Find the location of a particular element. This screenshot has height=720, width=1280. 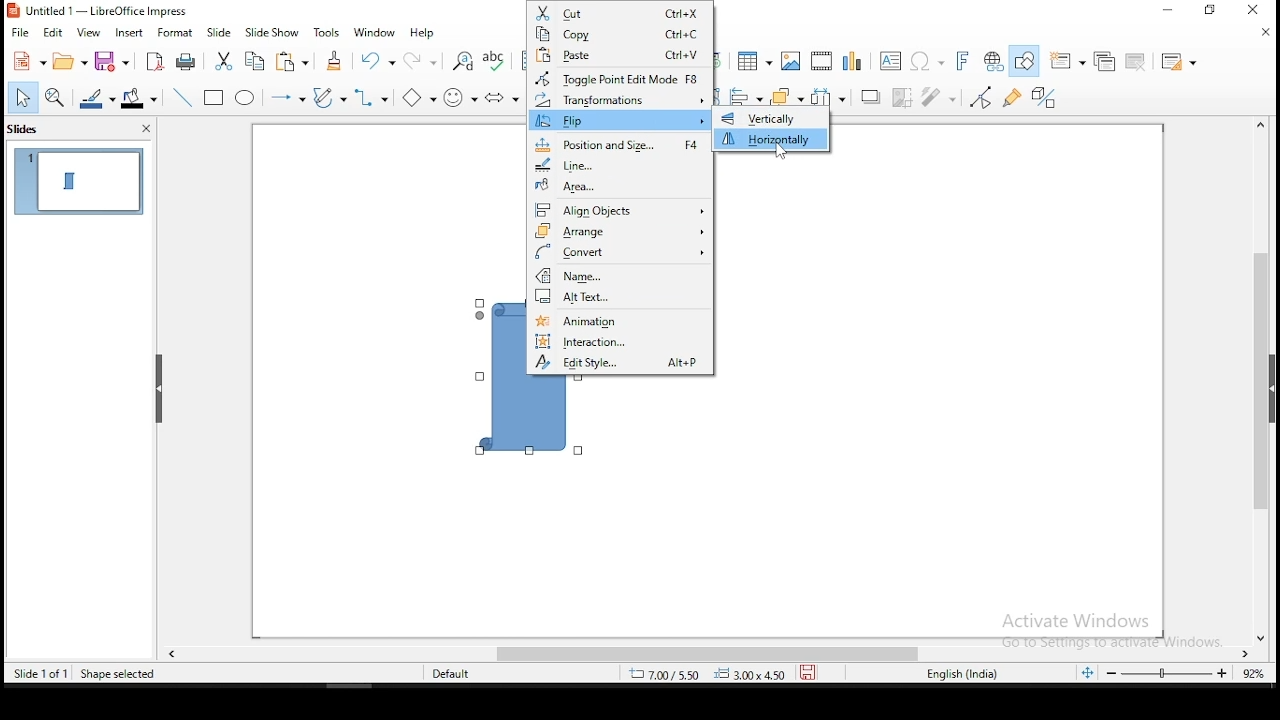

8.43/7.42 is located at coordinates (665, 676).